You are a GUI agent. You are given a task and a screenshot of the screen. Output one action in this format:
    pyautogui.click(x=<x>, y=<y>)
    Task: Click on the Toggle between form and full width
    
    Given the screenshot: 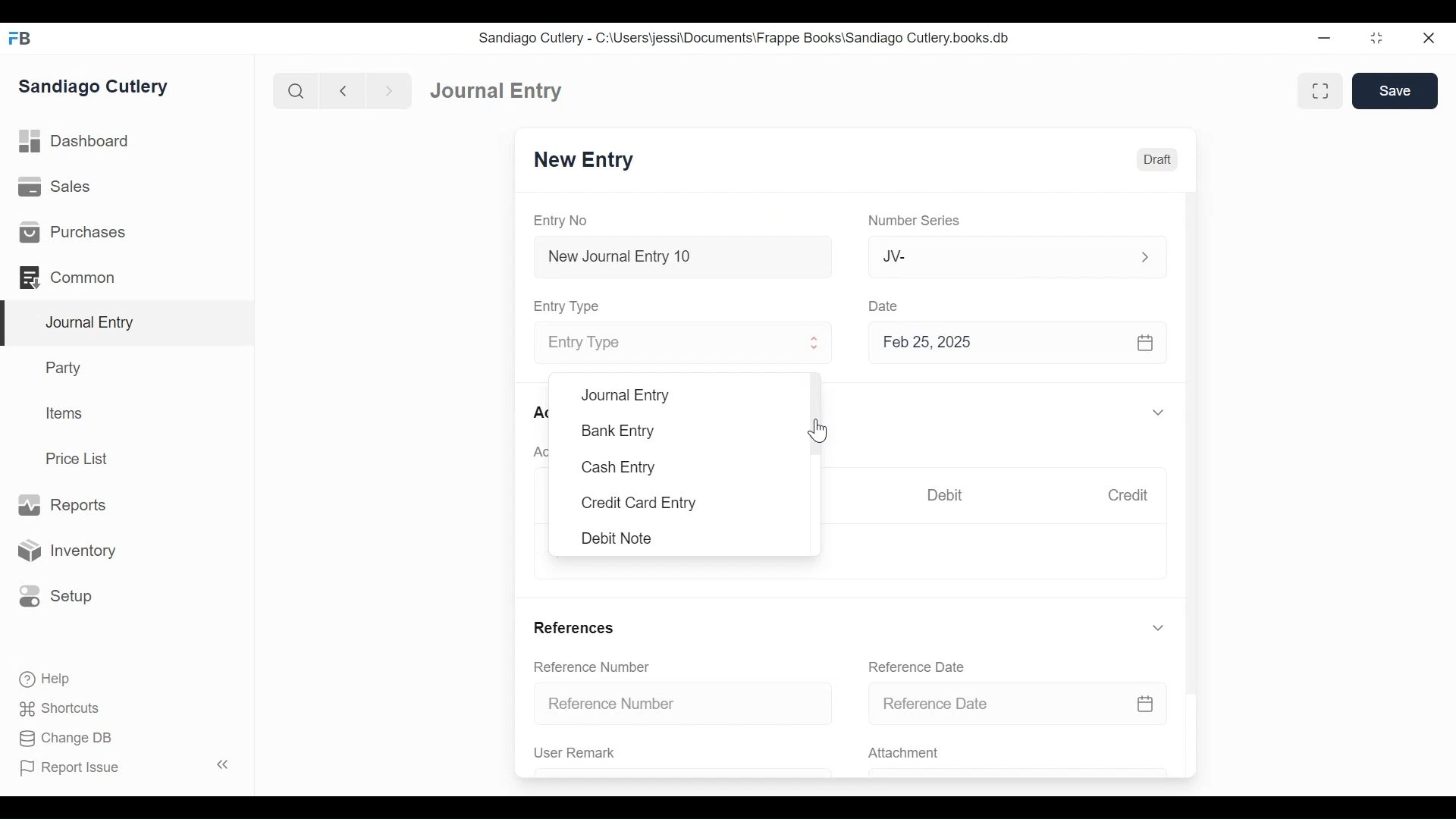 What is the action you would take?
    pyautogui.click(x=1318, y=89)
    